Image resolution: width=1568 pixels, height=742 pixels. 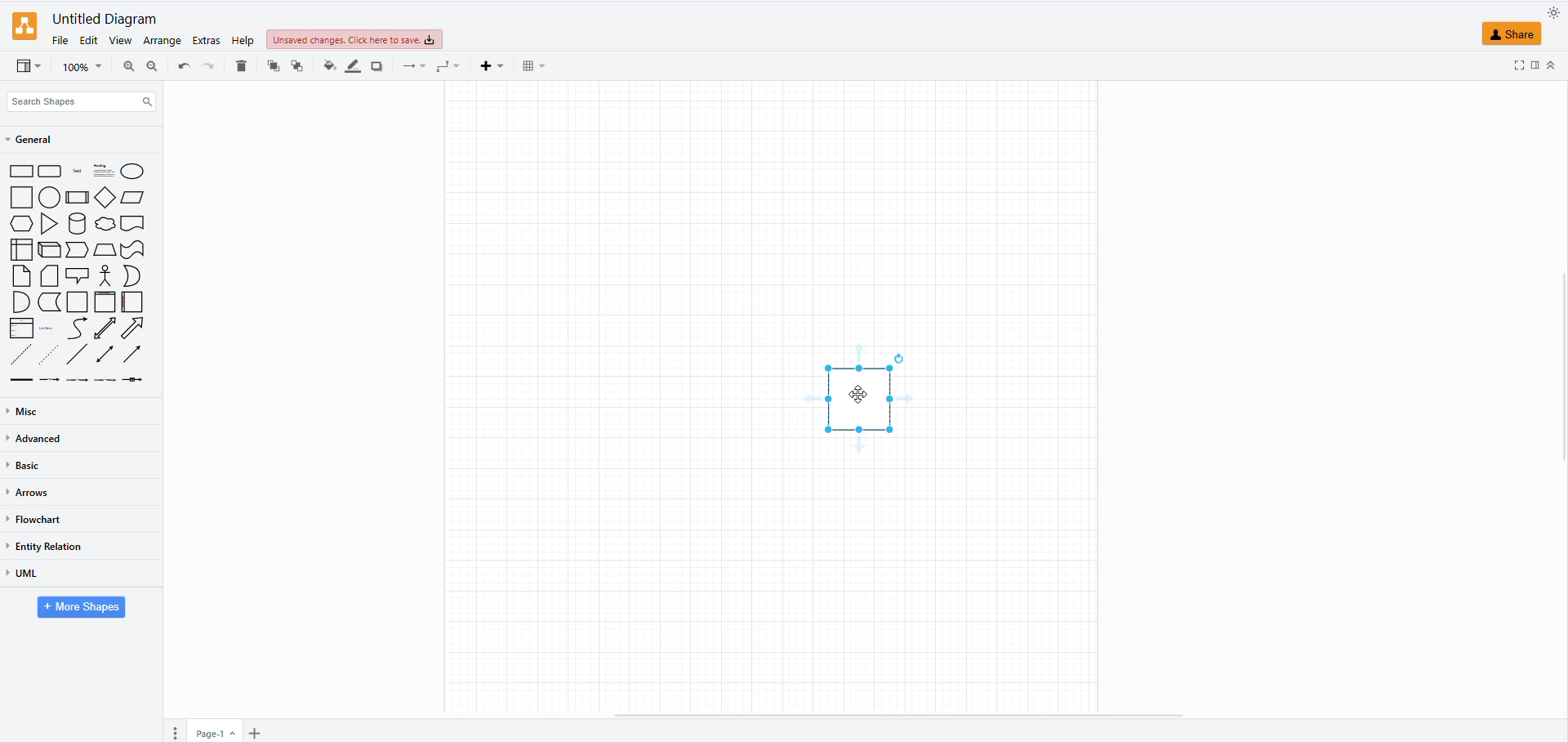 What do you see at coordinates (1548, 14) in the screenshot?
I see `appearance` at bounding box center [1548, 14].